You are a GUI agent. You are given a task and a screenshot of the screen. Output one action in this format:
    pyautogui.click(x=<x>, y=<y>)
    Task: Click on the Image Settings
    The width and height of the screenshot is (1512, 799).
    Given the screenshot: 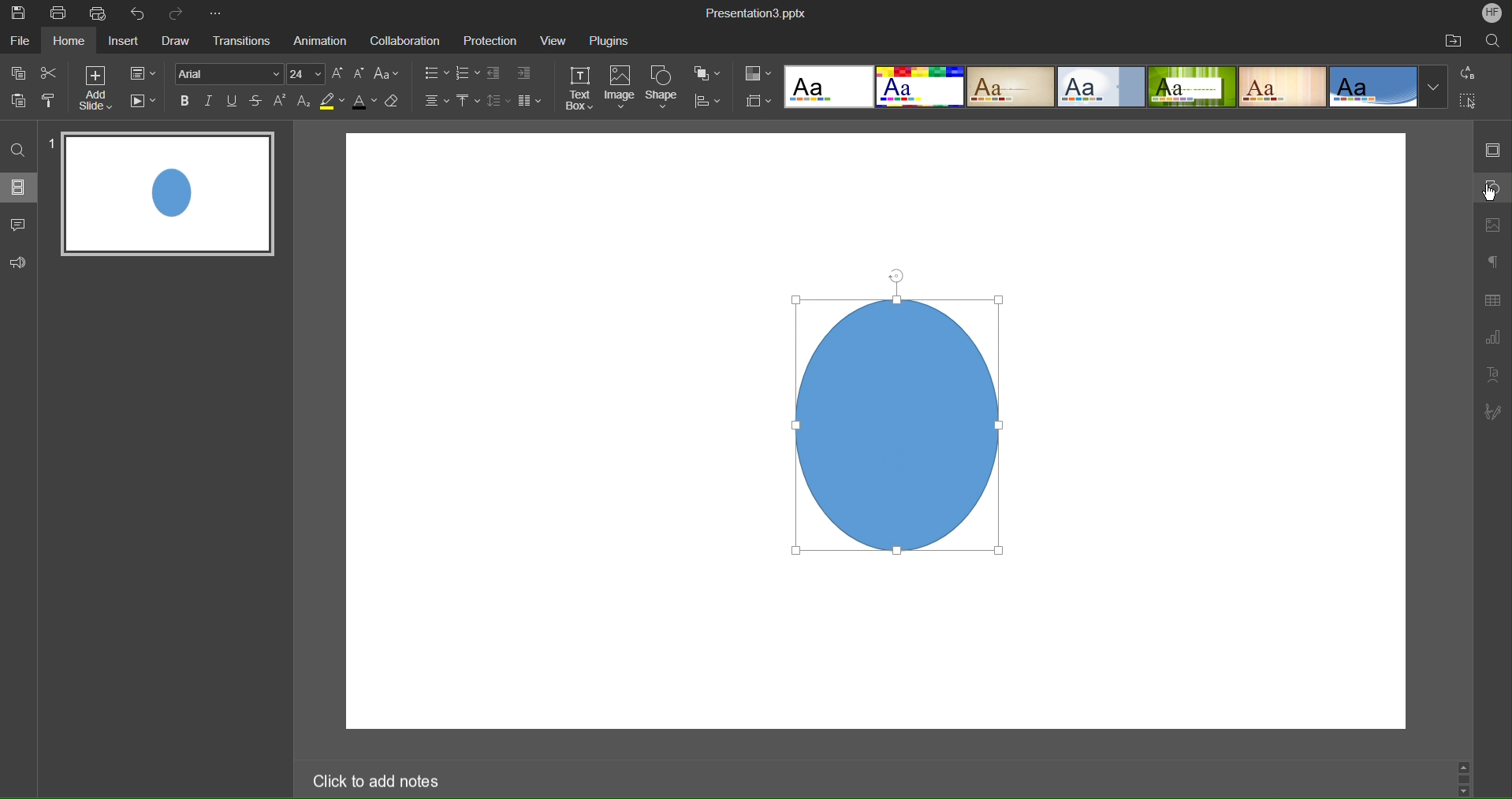 What is the action you would take?
    pyautogui.click(x=1495, y=225)
    